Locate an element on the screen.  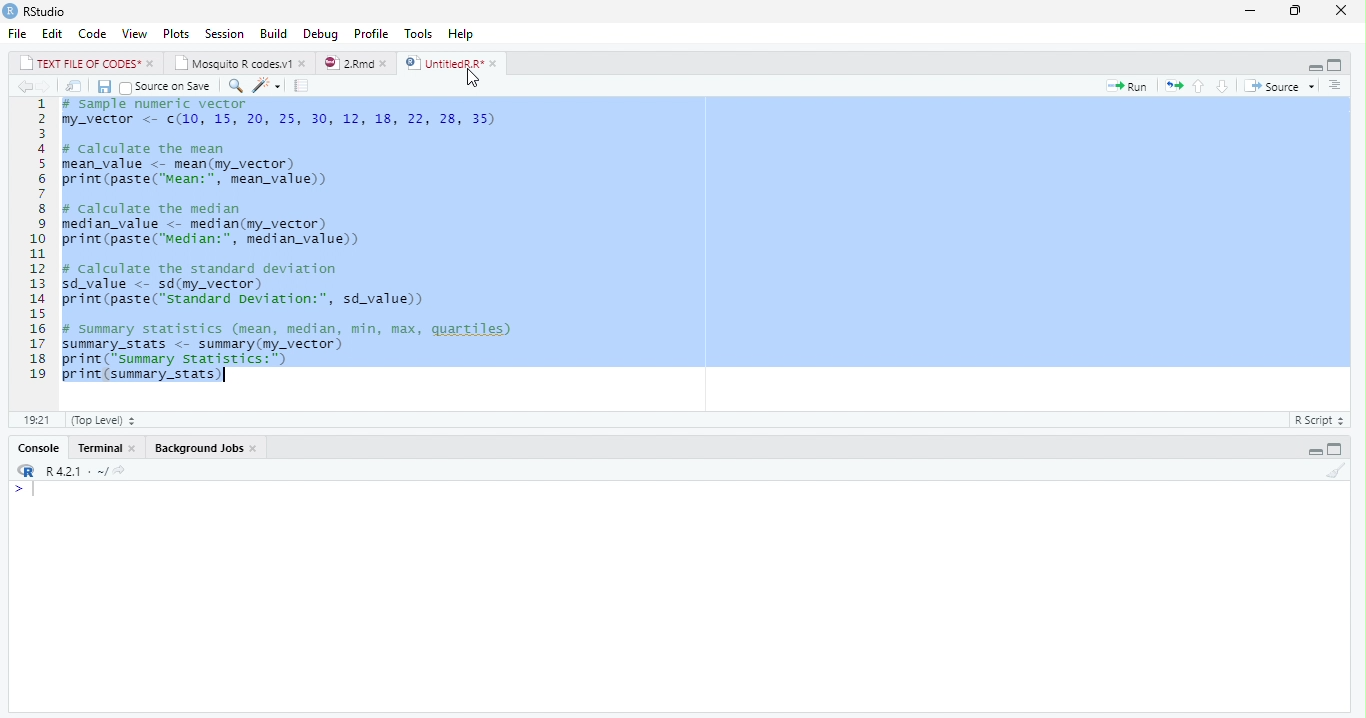
line numbers is located at coordinates (33, 239).